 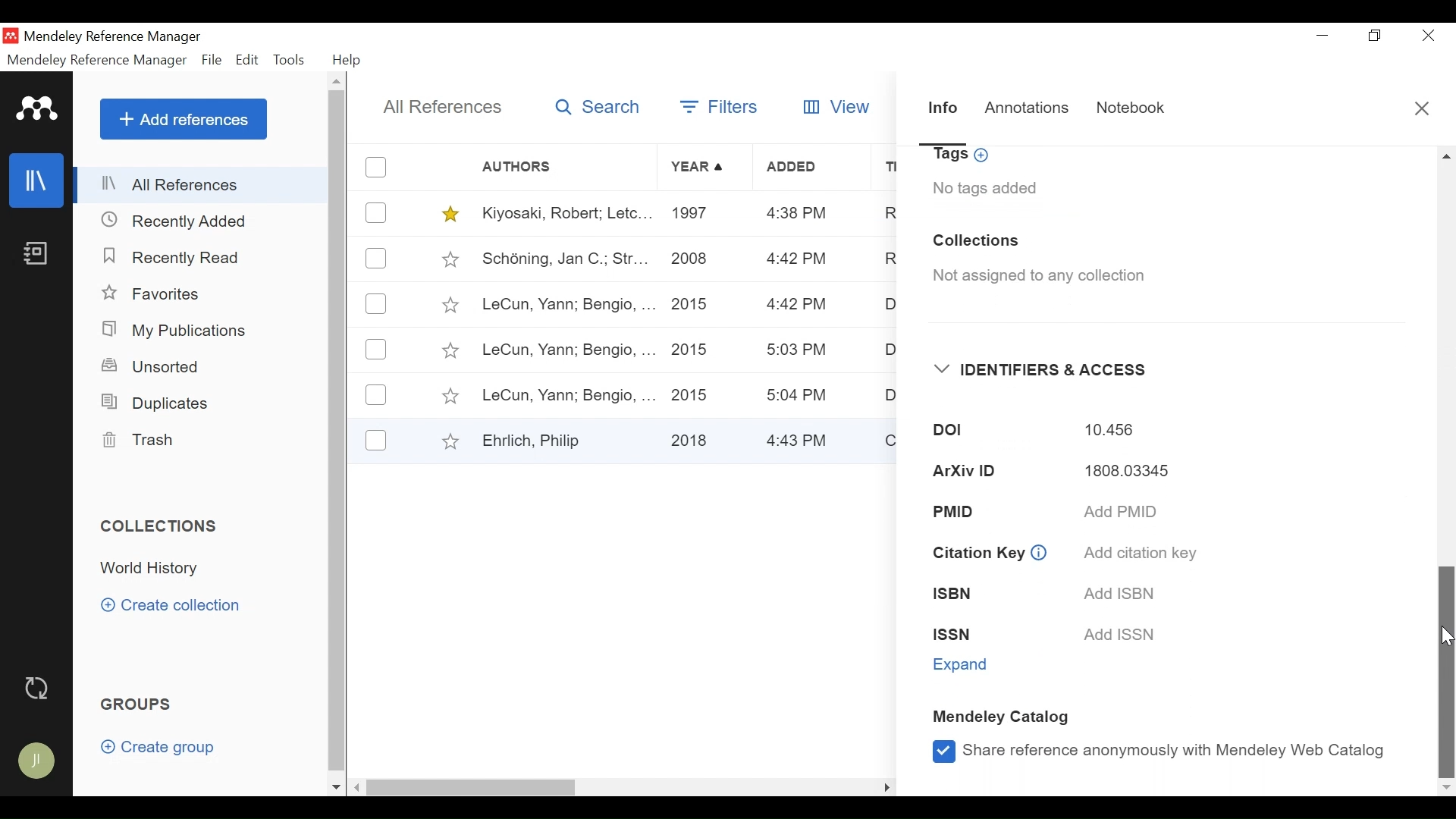 I want to click on ISBN, so click(x=962, y=595).